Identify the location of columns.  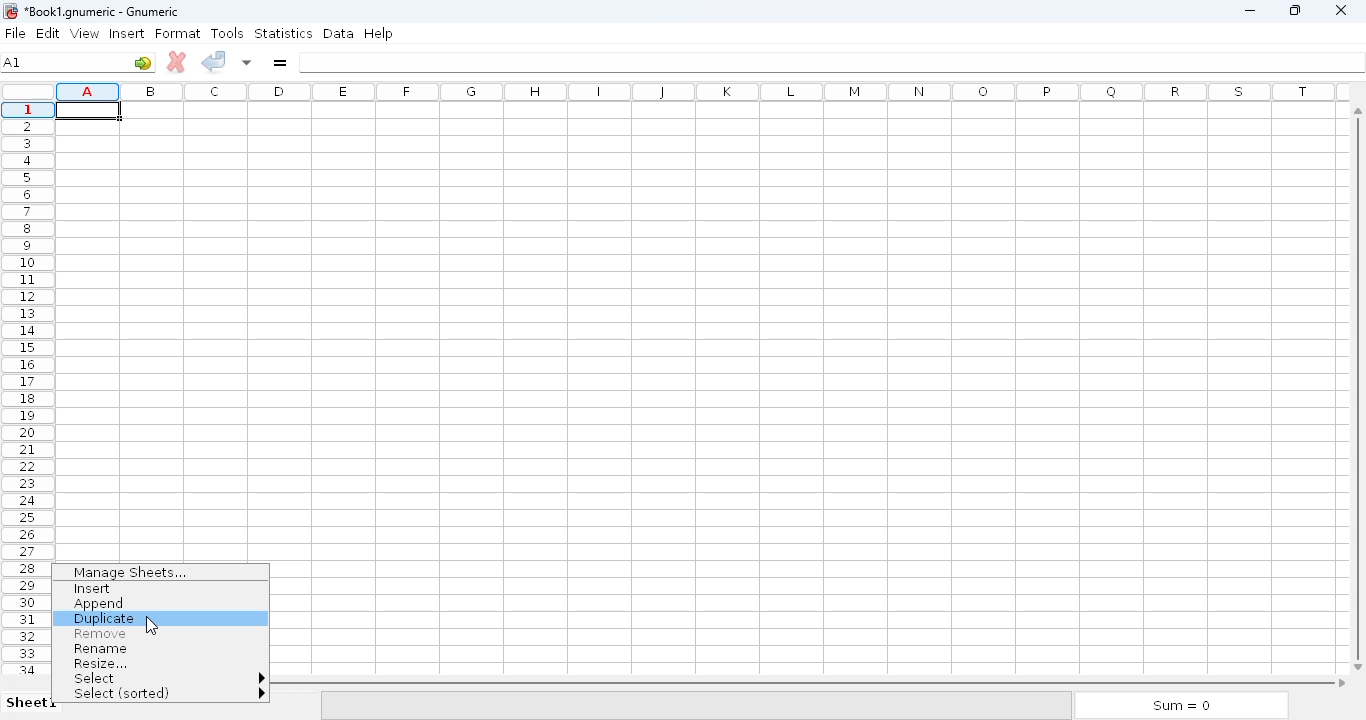
(703, 91).